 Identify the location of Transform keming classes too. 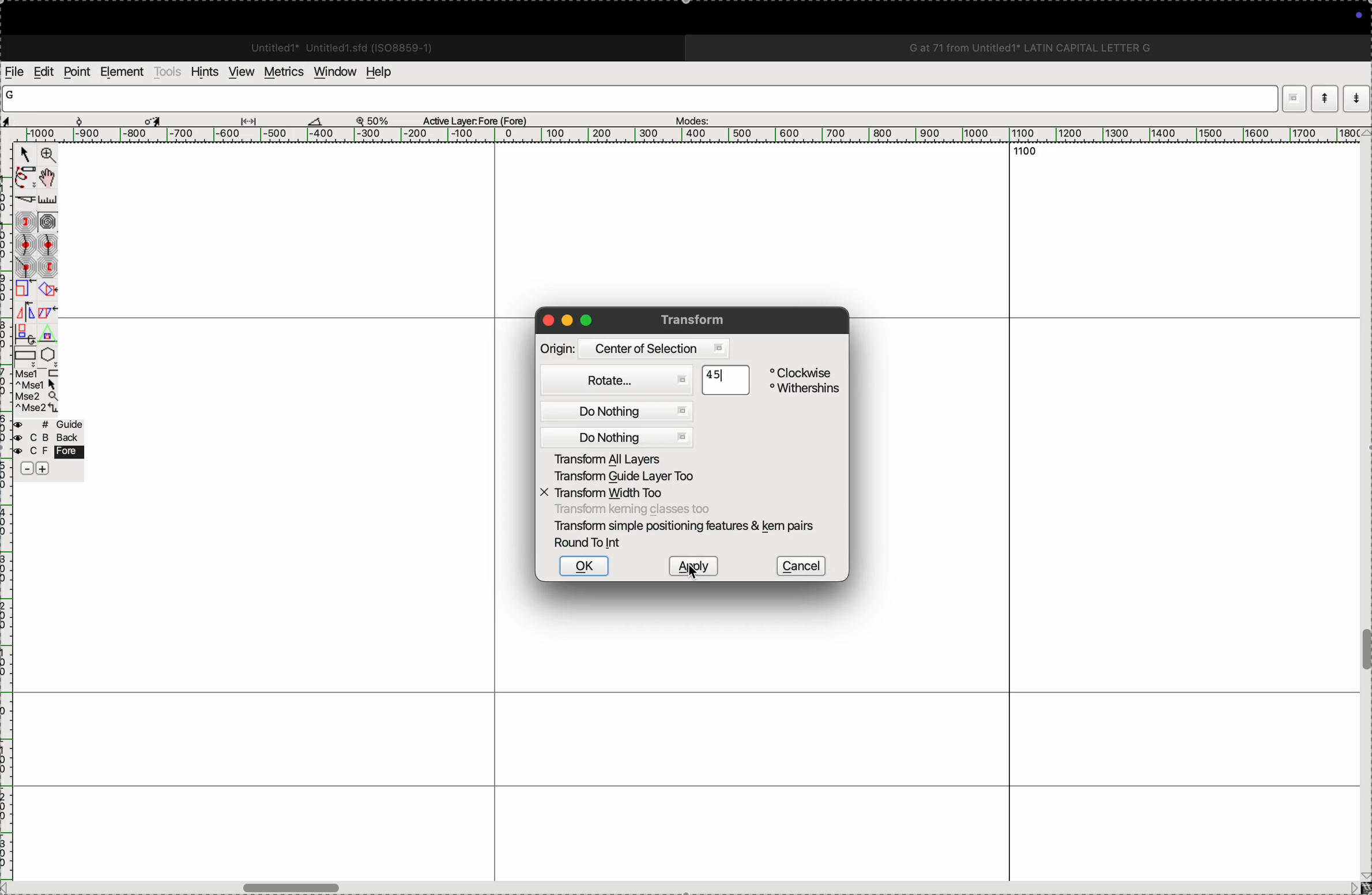
(653, 508).